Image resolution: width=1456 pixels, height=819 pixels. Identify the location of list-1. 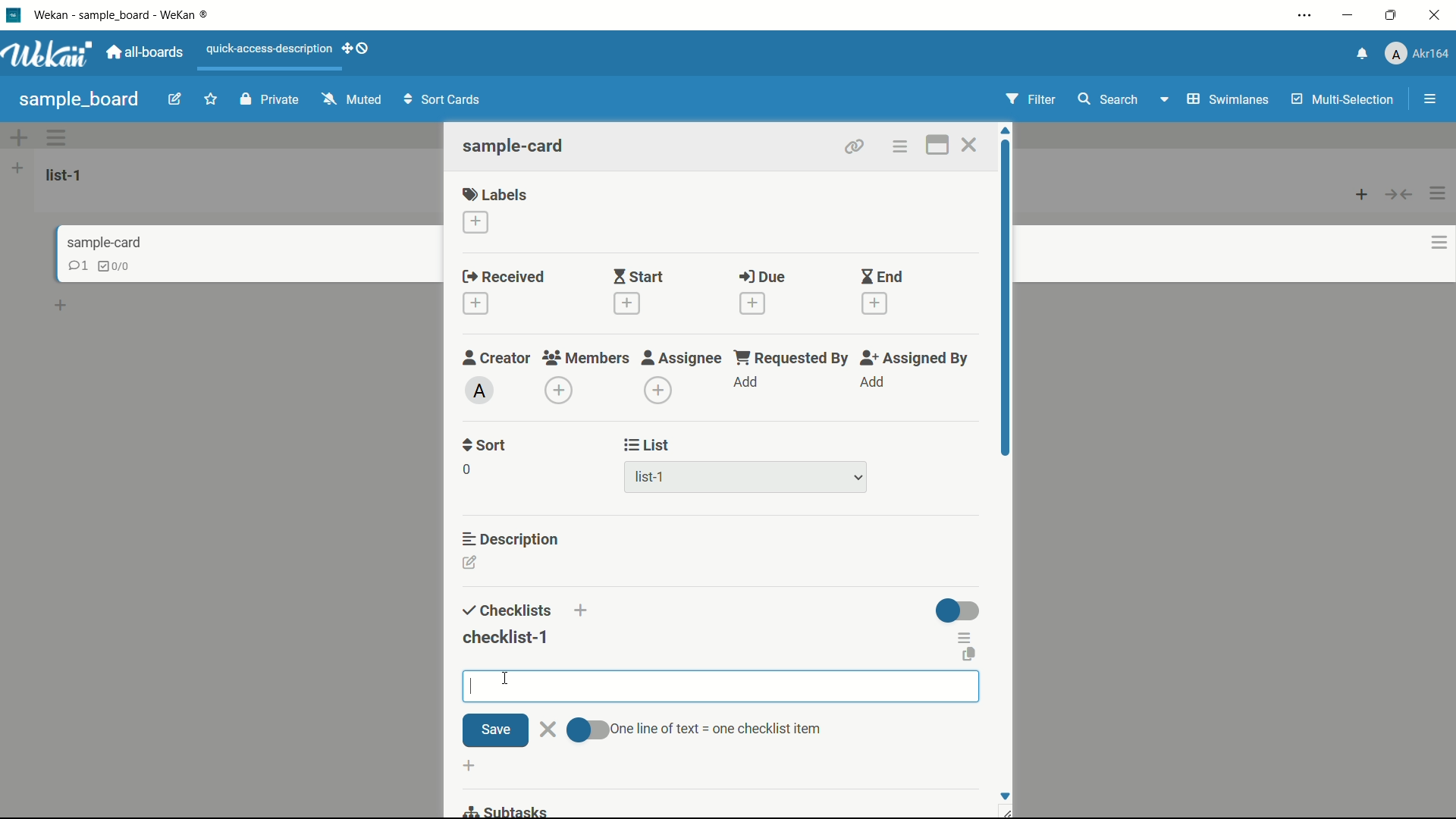
(70, 174).